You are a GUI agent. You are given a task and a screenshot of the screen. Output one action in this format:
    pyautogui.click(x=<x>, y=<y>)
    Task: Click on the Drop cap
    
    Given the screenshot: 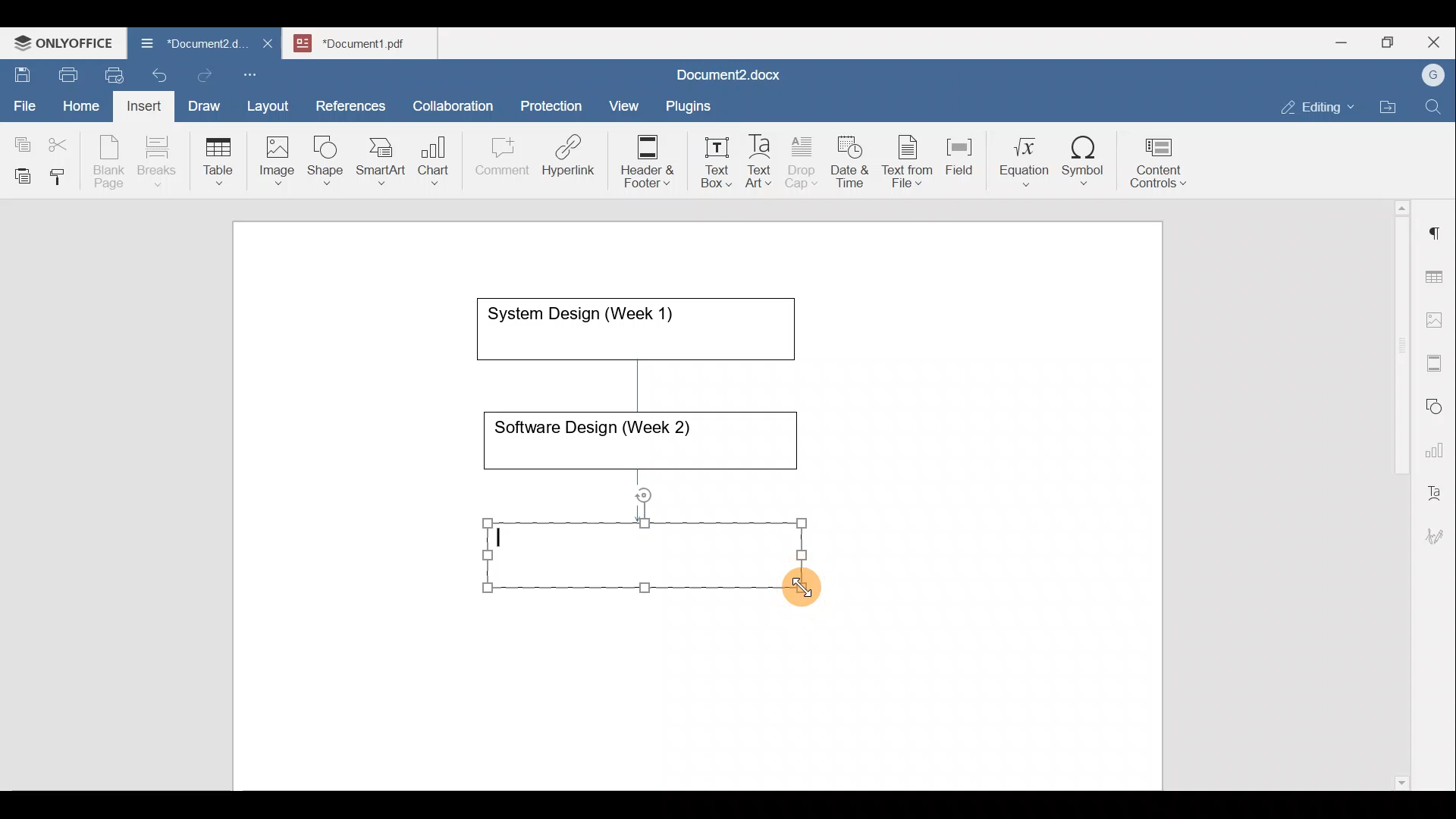 What is the action you would take?
    pyautogui.click(x=805, y=160)
    